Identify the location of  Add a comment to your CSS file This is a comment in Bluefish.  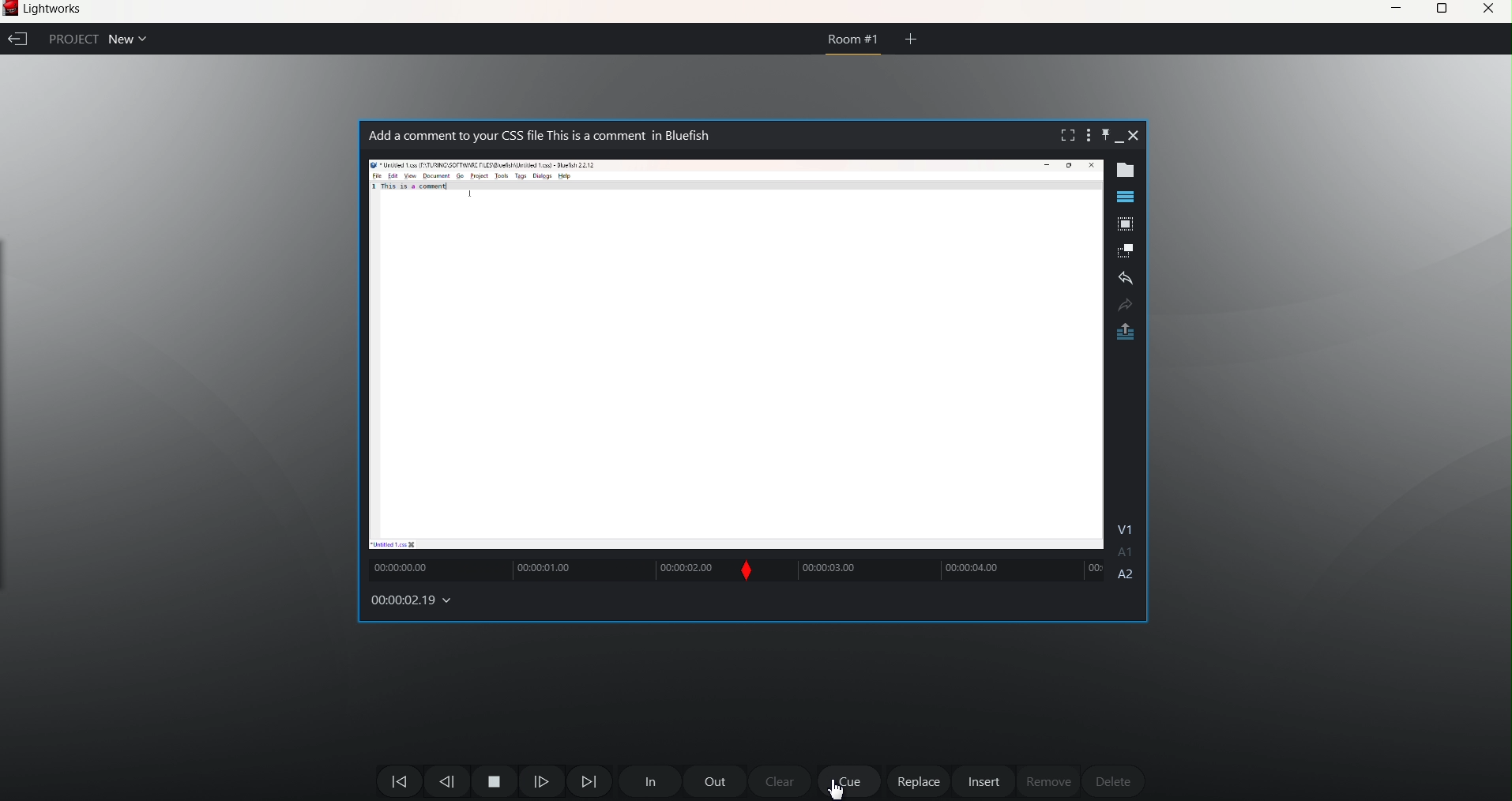
(547, 133).